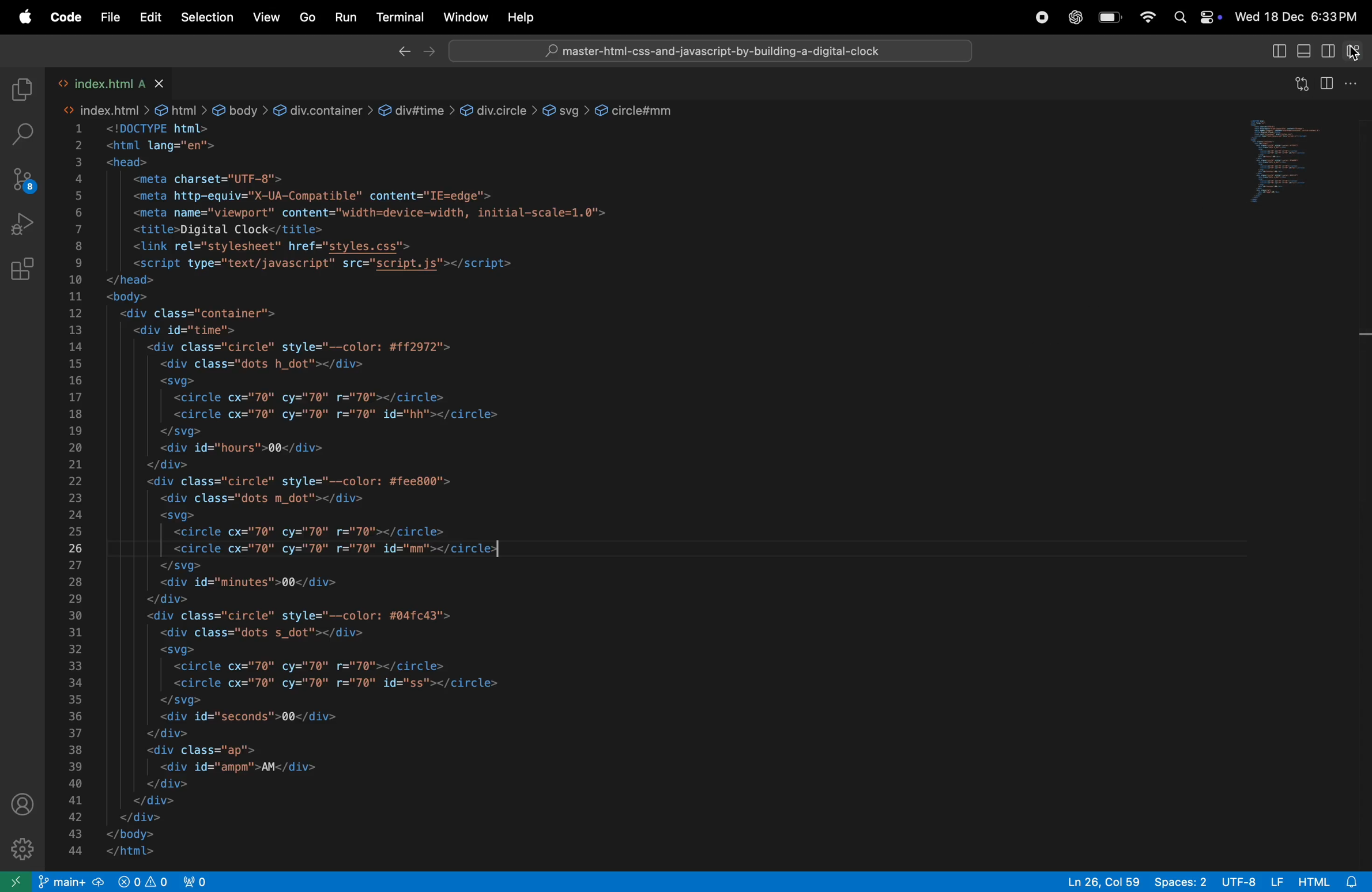 The width and height of the screenshot is (1372, 892). I want to click on <!DOCTYPE html>
<html lang="en">
<head>
<meta charset="UTF-8">
<meta http-equiv="X-UA-Compatible" content="IE=edge'>
<meta name="viewport" content="width=device-width, initial-scale=1.0">
<title>Digital Clock</title>
<link rel="stylesheet" href="styles.css">
<script type="text/javascript" src="script.js"></script>
</head>
<body>
<div class="container">
<div id="time">
<div class="circle" style="--color: #ff2972">
<div class="dots h_dot"></div>
<svg>
<circle cx="70" cy="70" r="70"></circle>
<circle cx="70" cy="70" r="70" id="hh"></circle>
</svg>
<div id="hours">00</div>
</div>
<div class="circle" style="--color: #fee800">
<div class="dots m_dot"></div>
<svg>
<circle cx="70" cy="70" r="70"></circle>
<circle cx="70" cy="70" r="70" id="mm"></circles]
</svg>
<div id="minutes">00</div>
</div>
<div class="circle" style="--color: #04fc43">
<div class="dots s_dot"></div>
<svg>
<circle cx="70" cy="70" r="70"></circle>
<circle cx="70" cy="70" r="70" id="ss"></circle>
</svg>
<div id="seconds">00</div>
</div>
<div class="ap">
<div id="ampm">AM</div>
</div>
</div>
</div>
</body>
</html>, so click(357, 494).